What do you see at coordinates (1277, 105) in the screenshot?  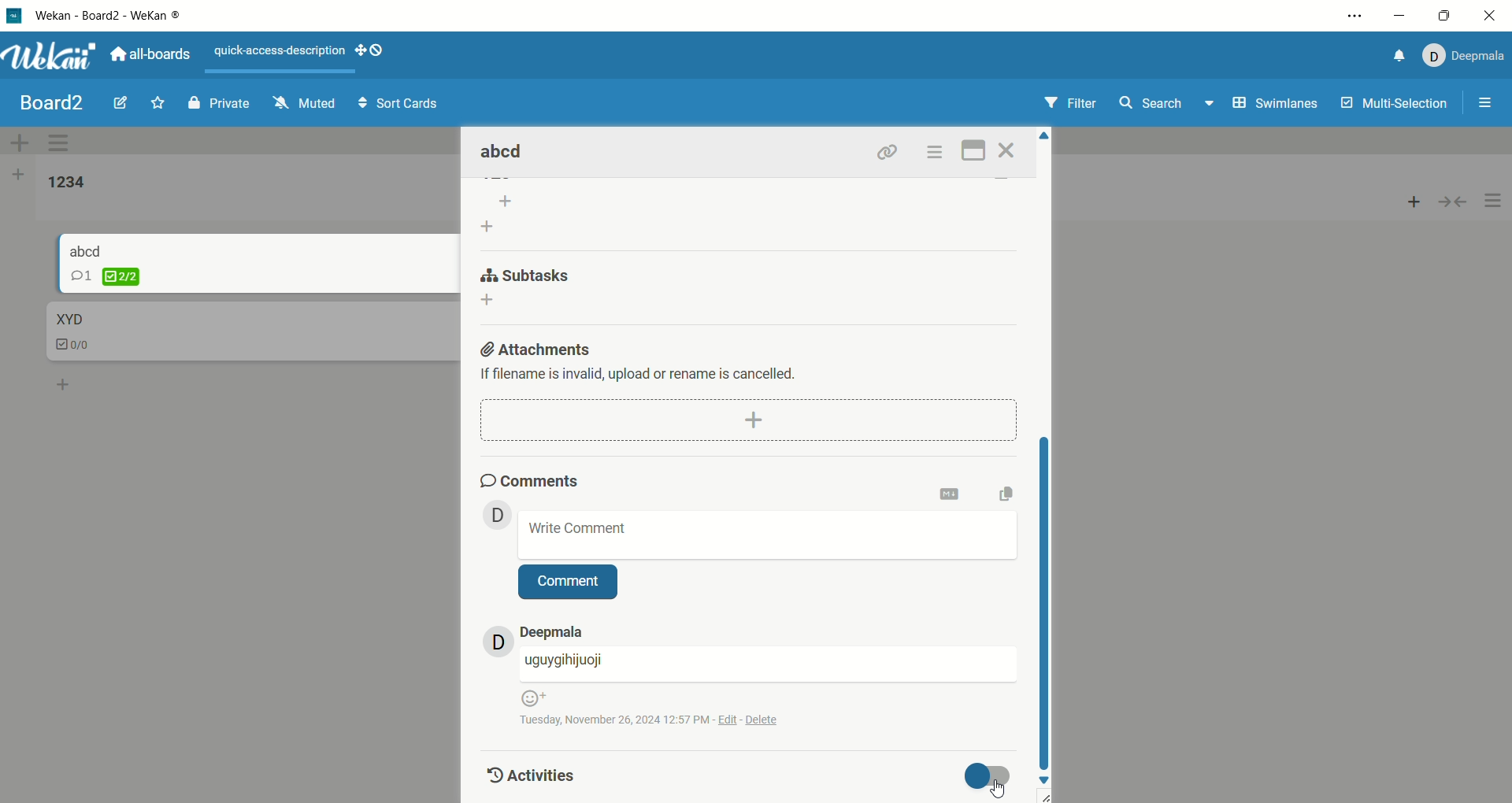 I see `swimlanes` at bounding box center [1277, 105].